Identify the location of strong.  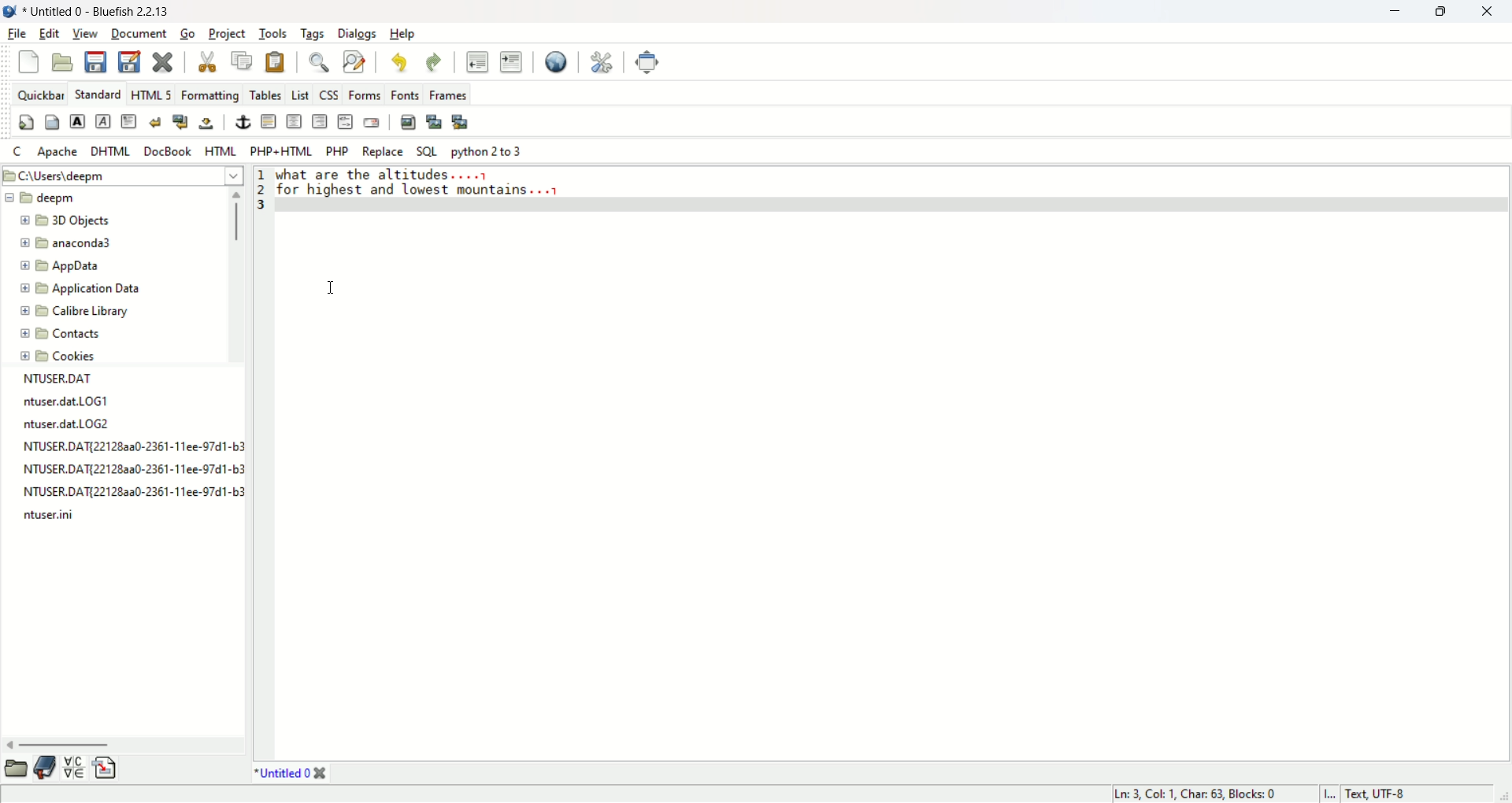
(77, 121).